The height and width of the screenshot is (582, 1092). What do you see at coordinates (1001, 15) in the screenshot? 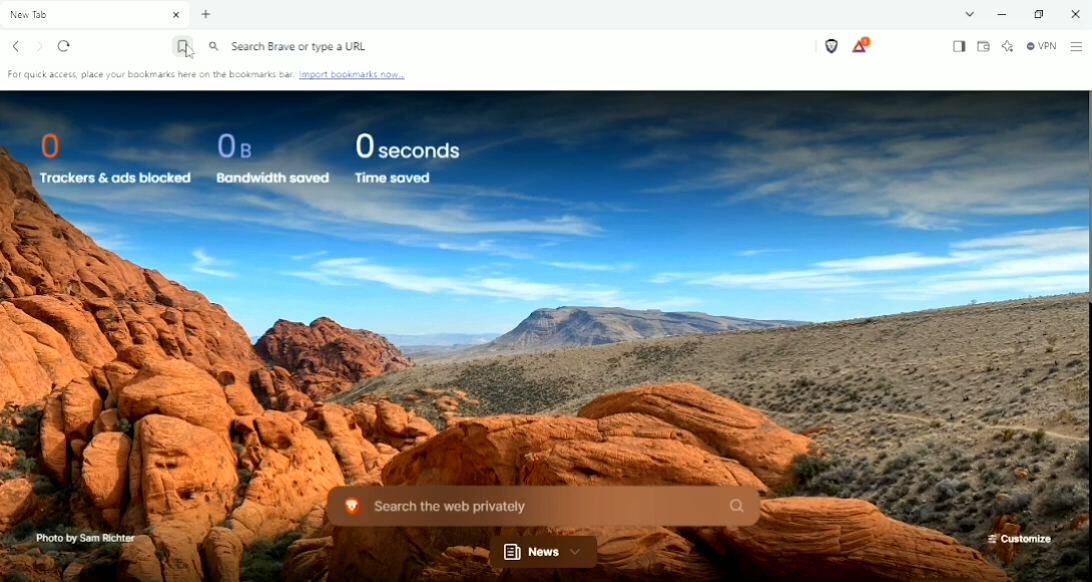
I see `Minimize` at bounding box center [1001, 15].